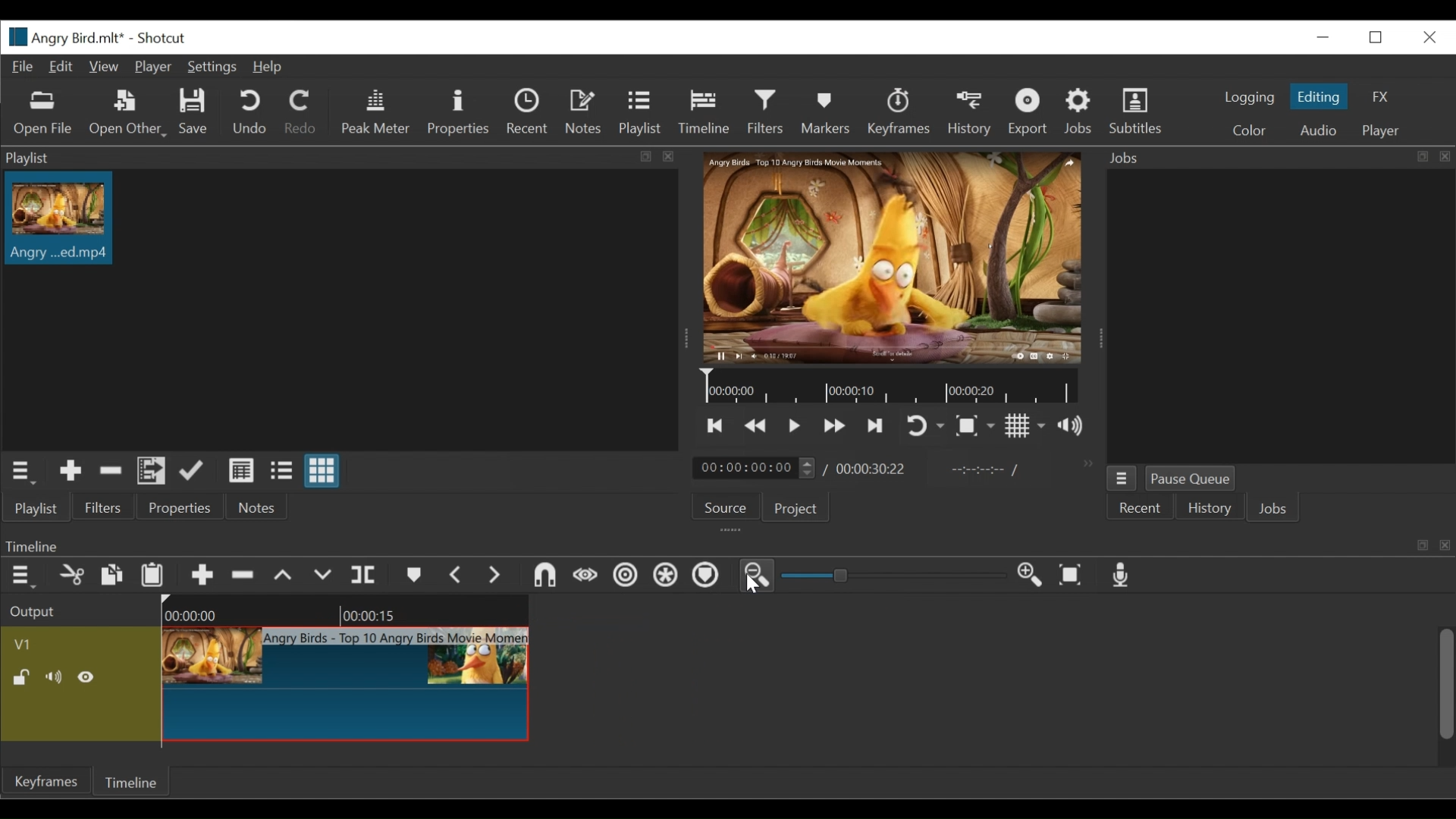 The image size is (1456, 819). What do you see at coordinates (130, 784) in the screenshot?
I see `Timelie` at bounding box center [130, 784].